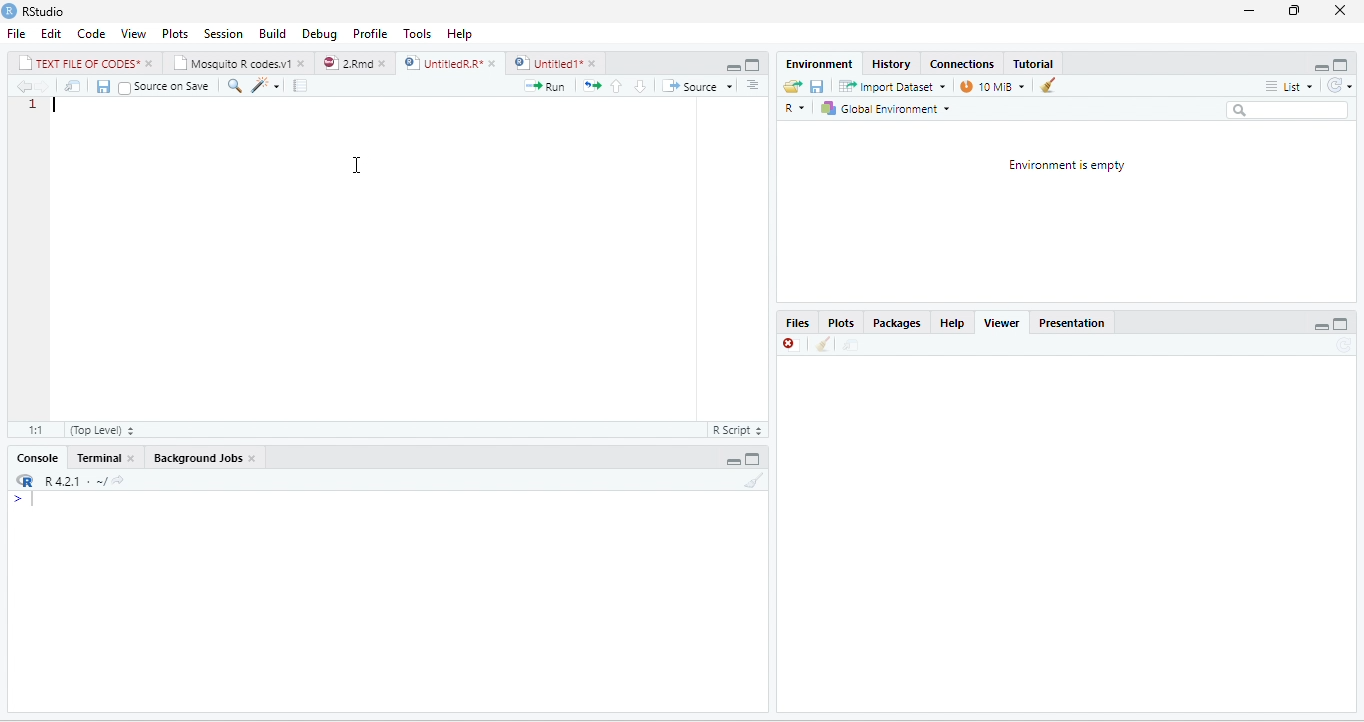  What do you see at coordinates (544, 85) in the screenshot?
I see `run the current line or selection` at bounding box center [544, 85].